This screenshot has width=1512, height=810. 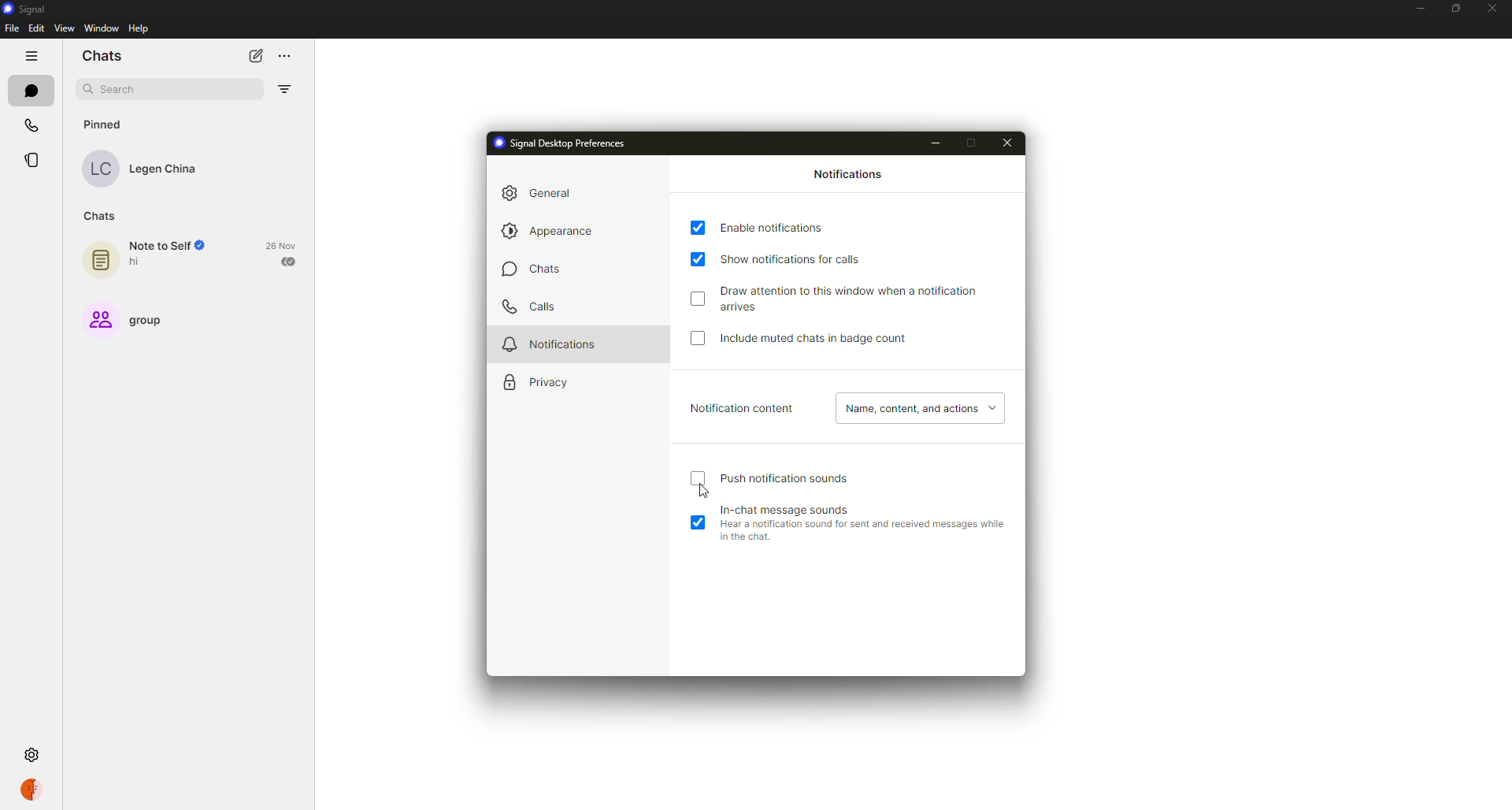 I want to click on signal desktop preferences, so click(x=564, y=143).